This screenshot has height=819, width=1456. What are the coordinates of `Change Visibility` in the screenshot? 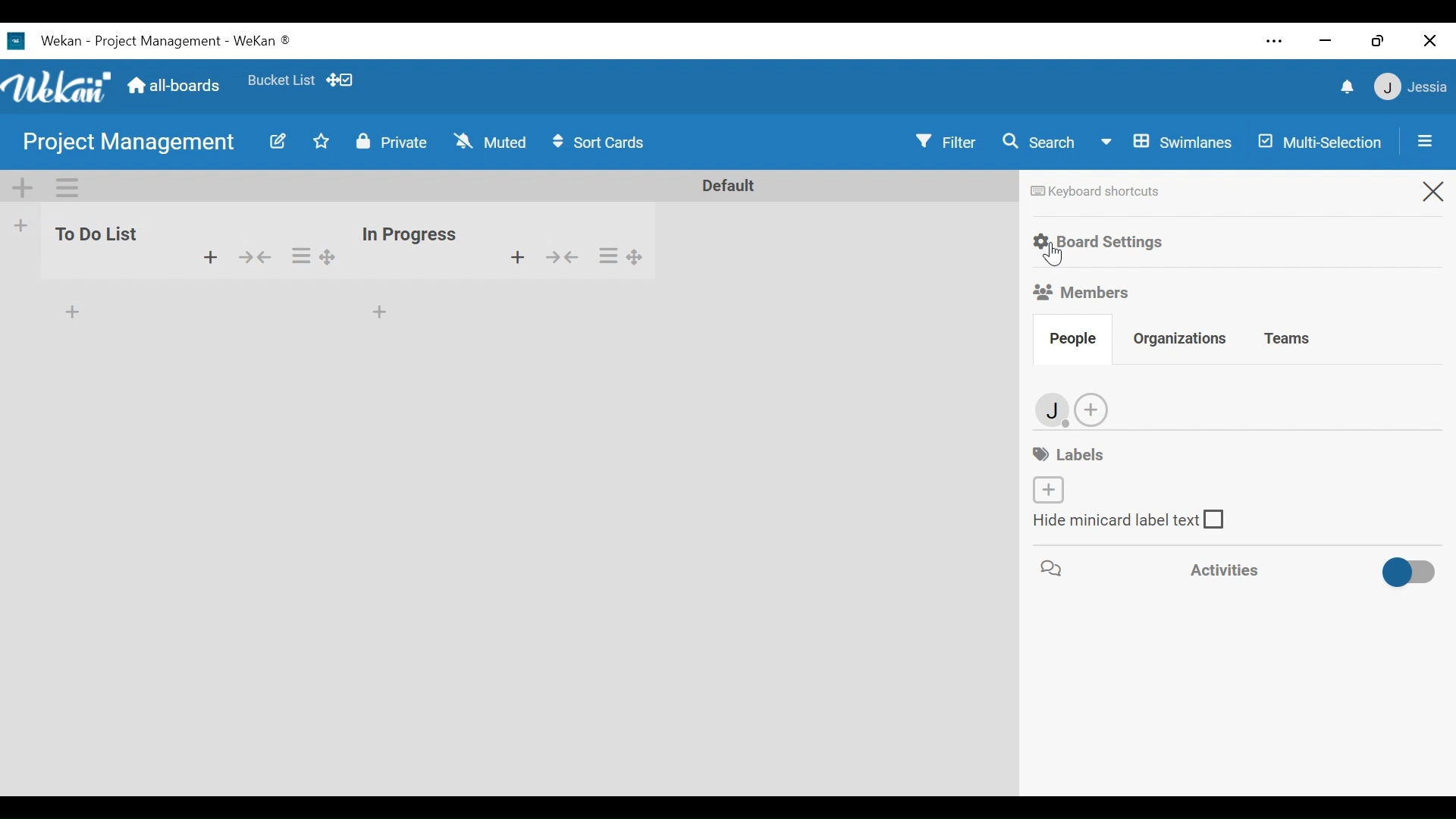 It's located at (391, 142).